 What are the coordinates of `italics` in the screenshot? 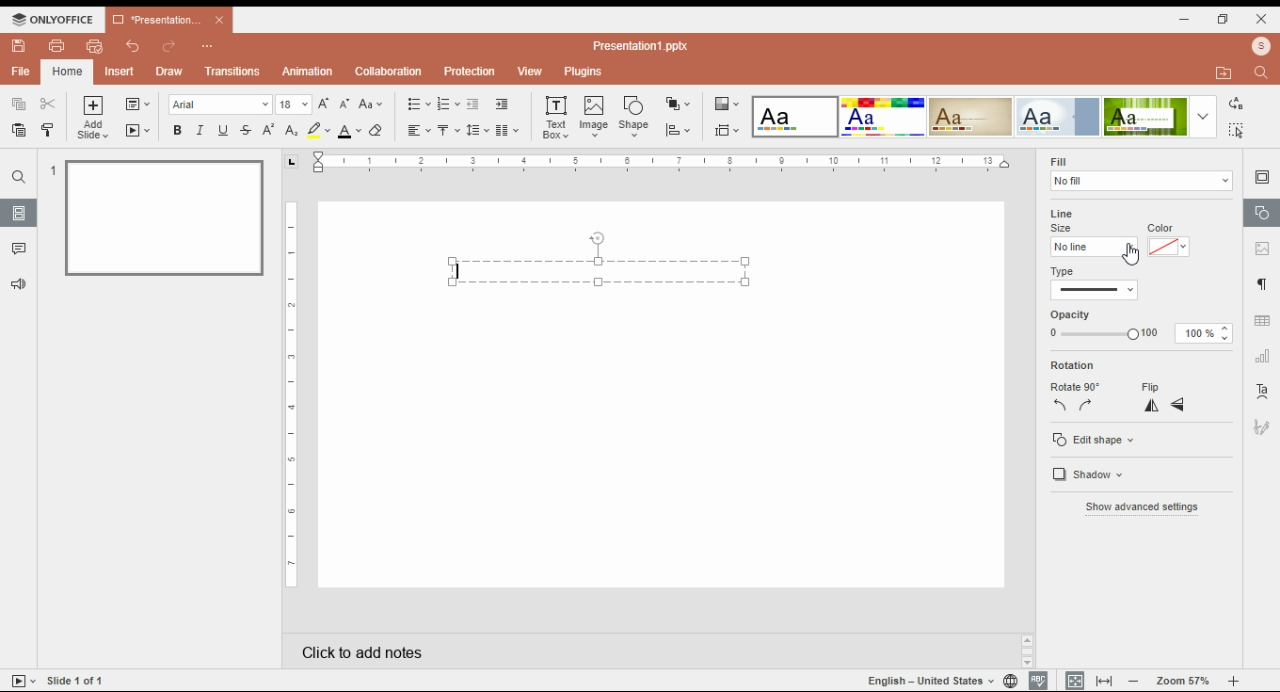 It's located at (200, 130).